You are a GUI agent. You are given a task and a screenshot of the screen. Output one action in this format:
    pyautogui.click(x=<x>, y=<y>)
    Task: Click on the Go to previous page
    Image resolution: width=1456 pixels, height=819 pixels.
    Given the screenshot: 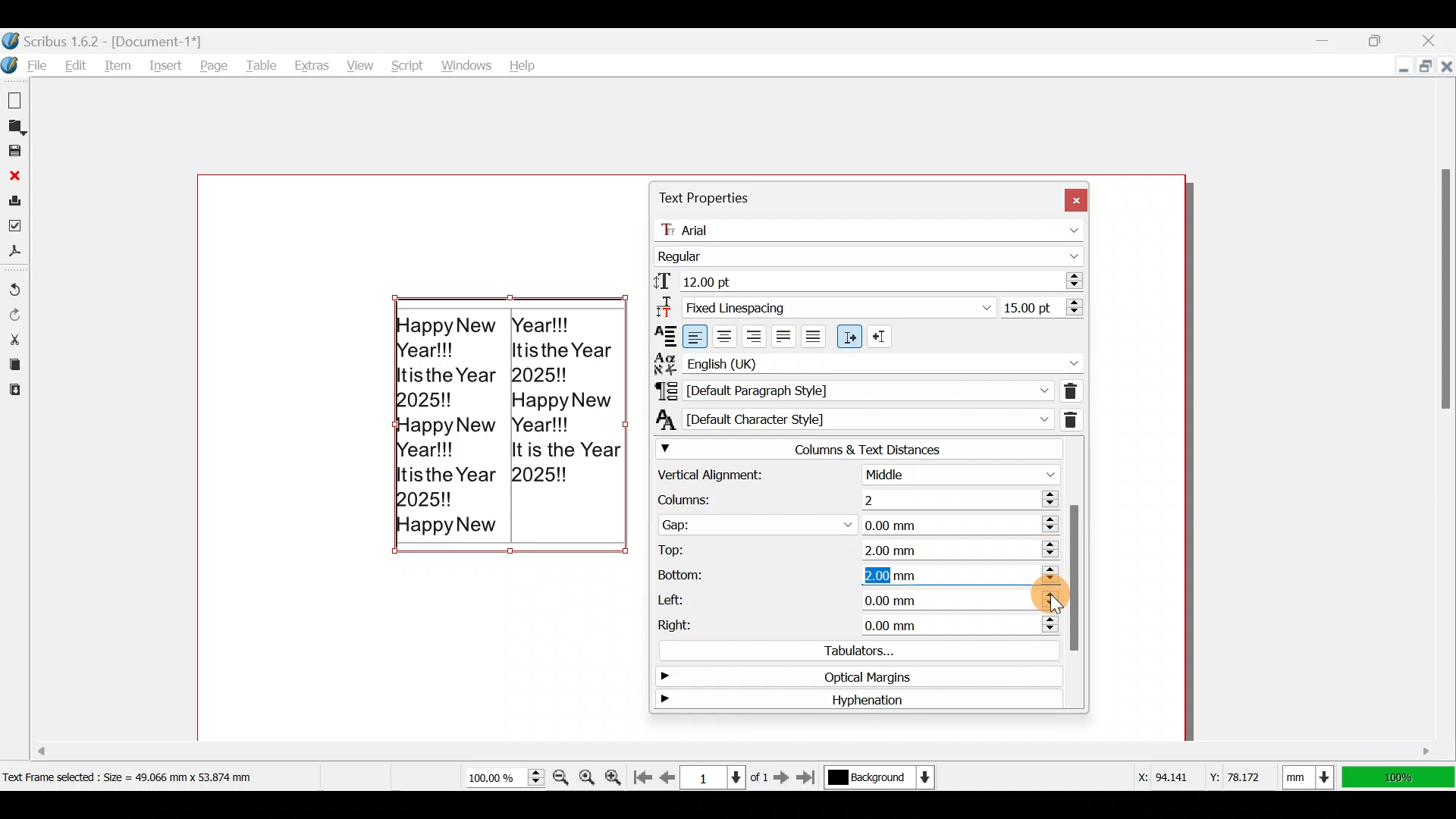 What is the action you would take?
    pyautogui.click(x=668, y=774)
    